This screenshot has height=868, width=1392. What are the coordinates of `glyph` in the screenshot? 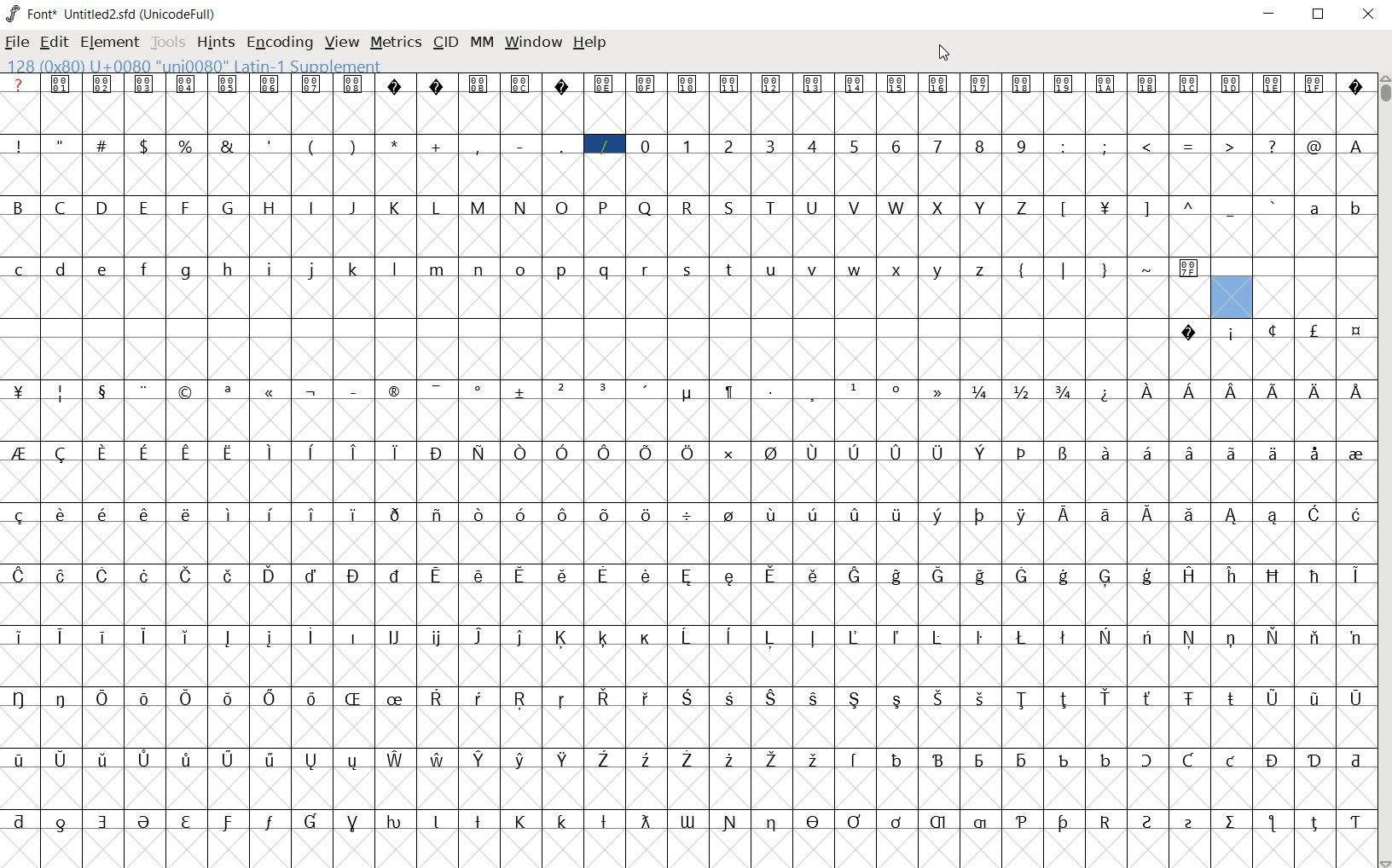 It's located at (435, 208).